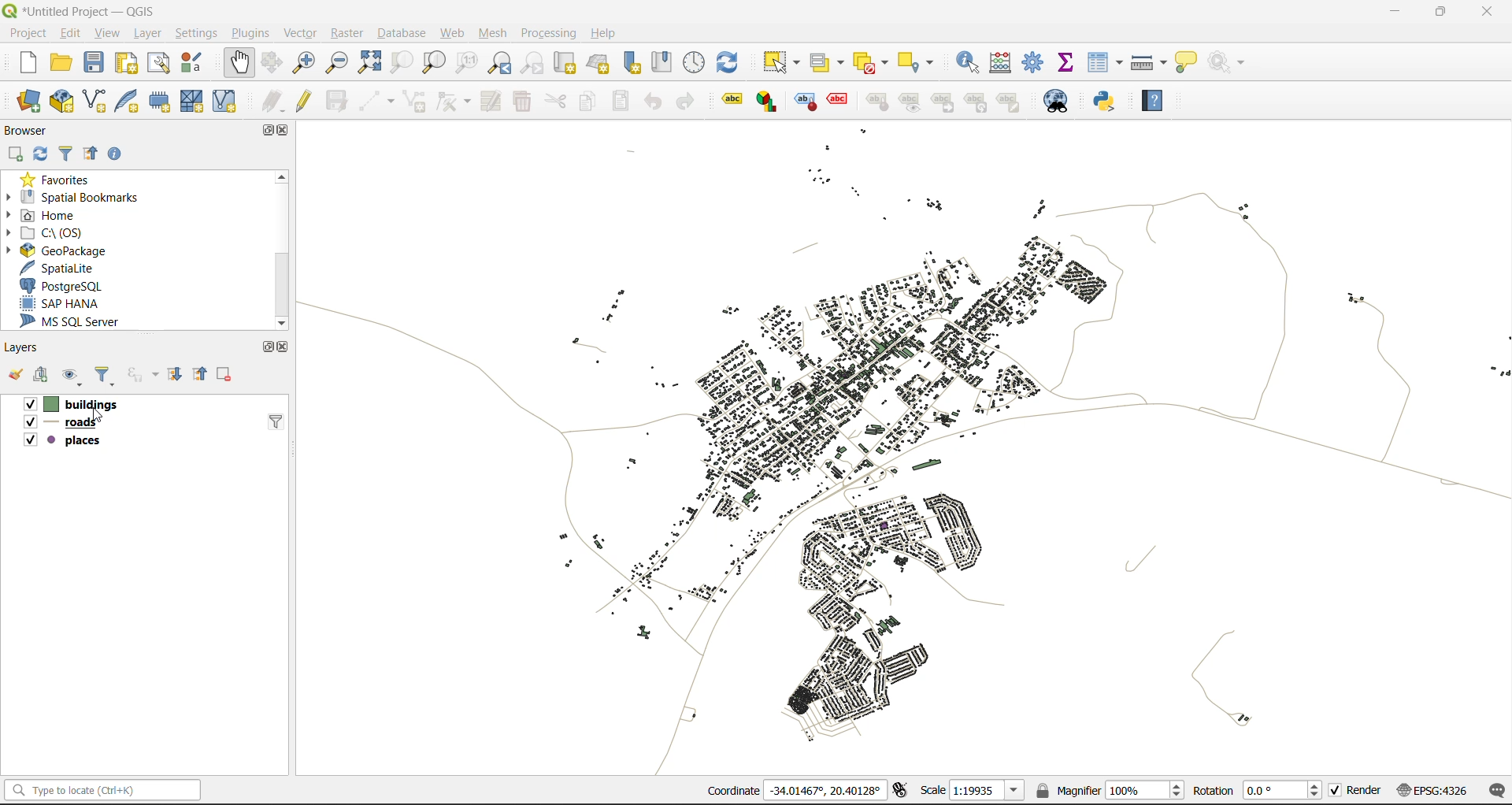 The width and height of the screenshot is (1512, 805). What do you see at coordinates (43, 154) in the screenshot?
I see `refresh` at bounding box center [43, 154].